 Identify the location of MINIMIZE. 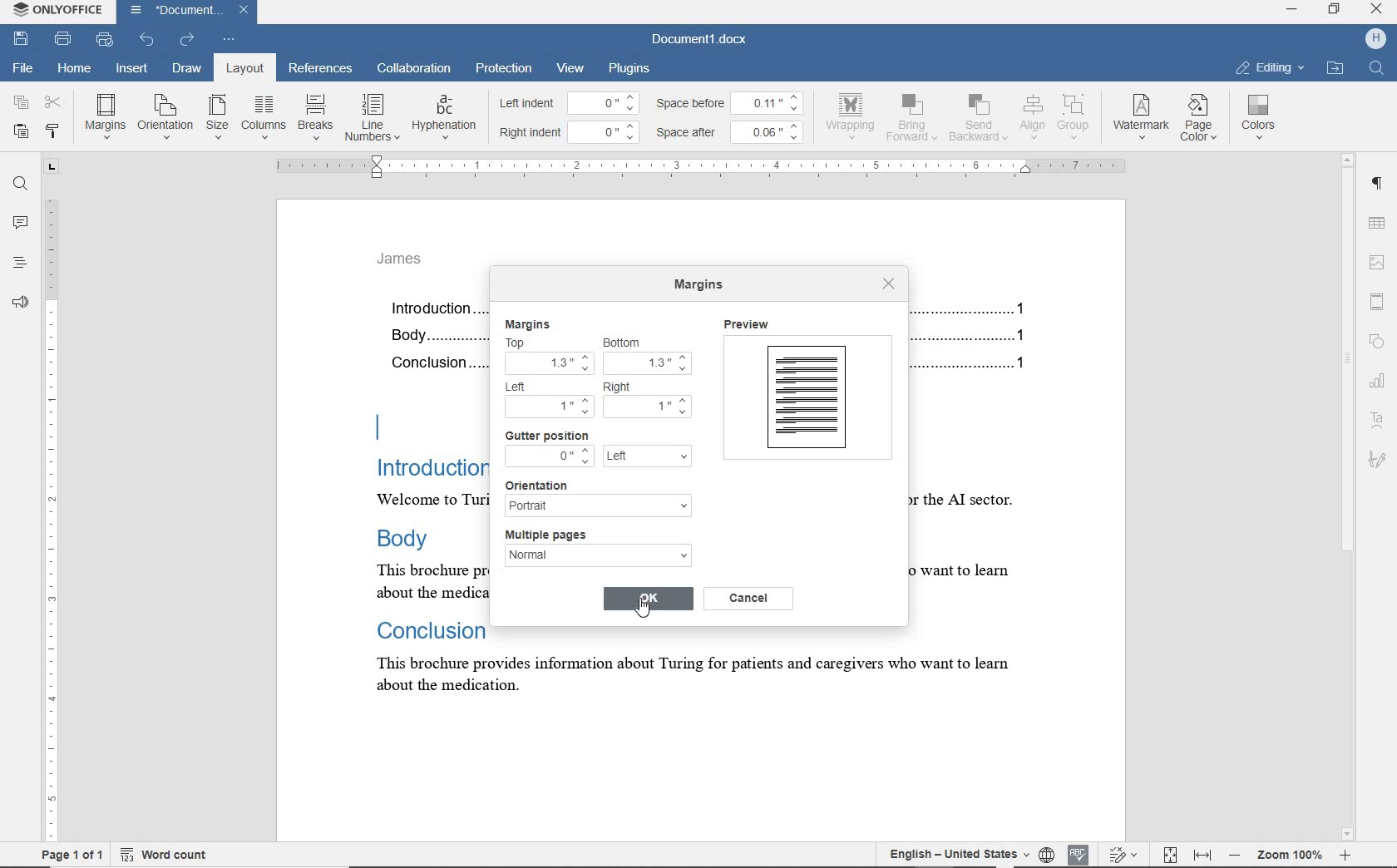
(1291, 10).